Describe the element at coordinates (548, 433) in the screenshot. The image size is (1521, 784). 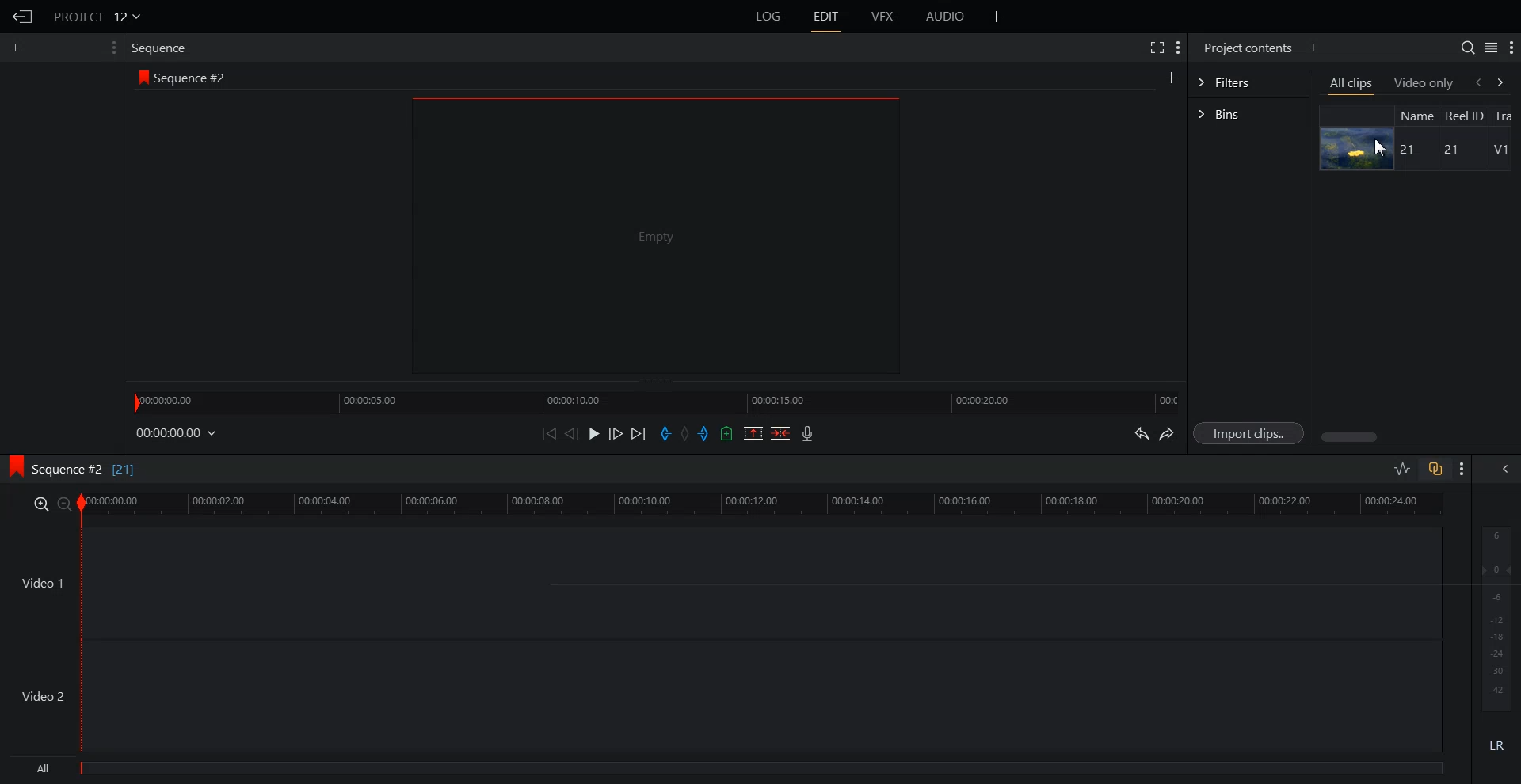
I see `Move Backward` at that location.